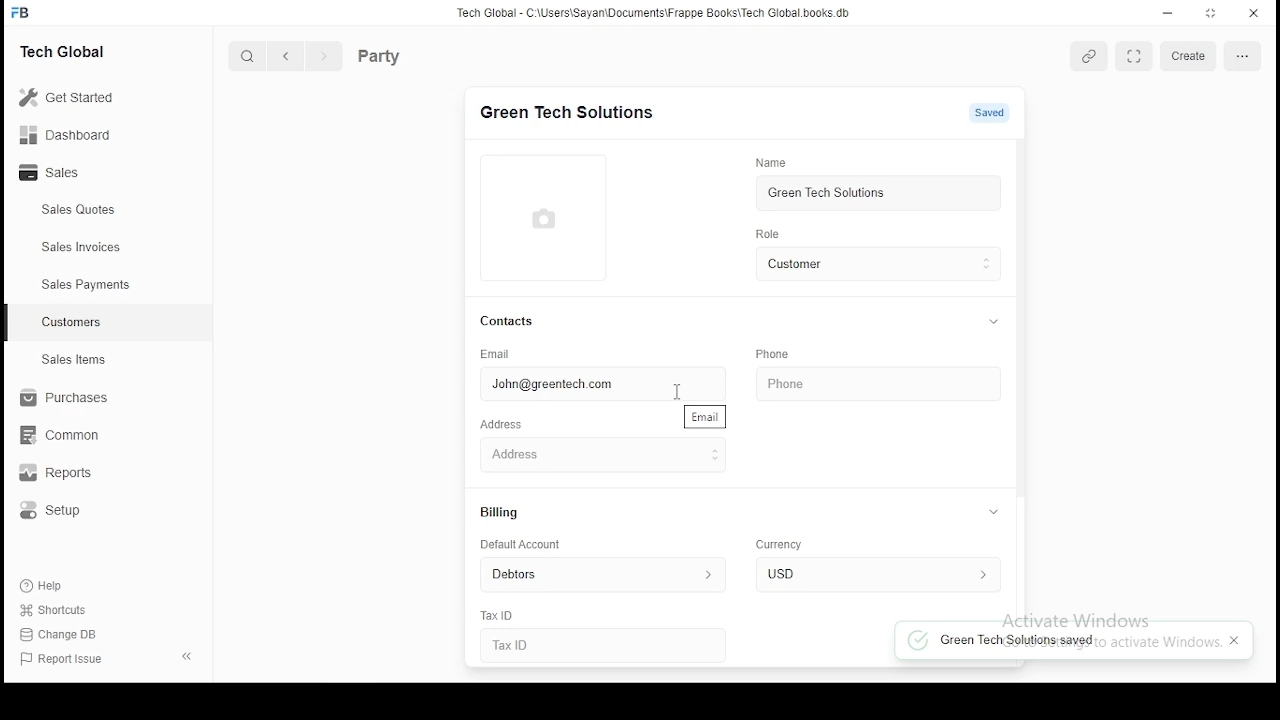  Describe the element at coordinates (1169, 13) in the screenshot. I see `minimize` at that location.